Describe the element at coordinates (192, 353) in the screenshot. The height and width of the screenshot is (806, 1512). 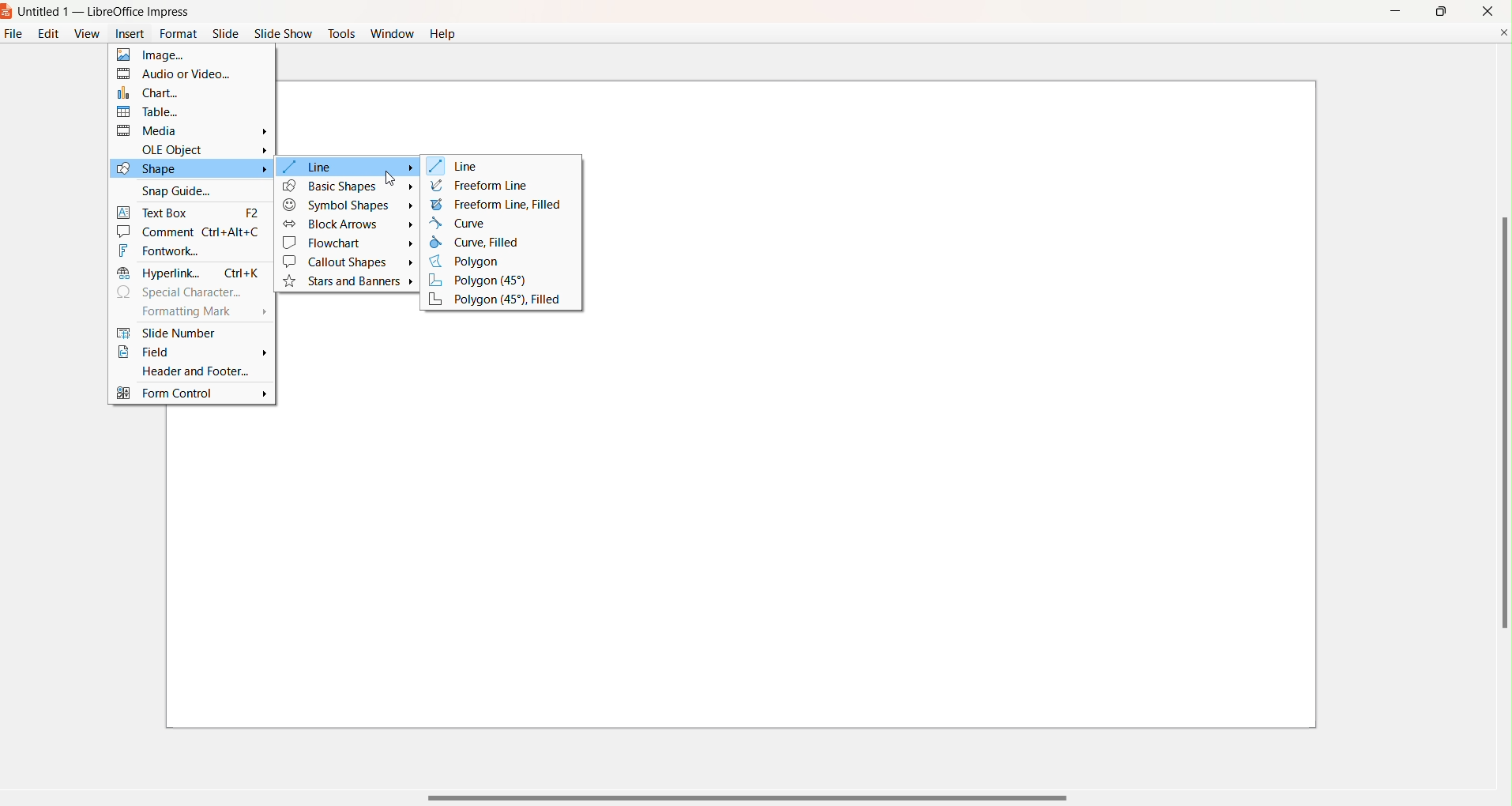
I see `Field` at that location.